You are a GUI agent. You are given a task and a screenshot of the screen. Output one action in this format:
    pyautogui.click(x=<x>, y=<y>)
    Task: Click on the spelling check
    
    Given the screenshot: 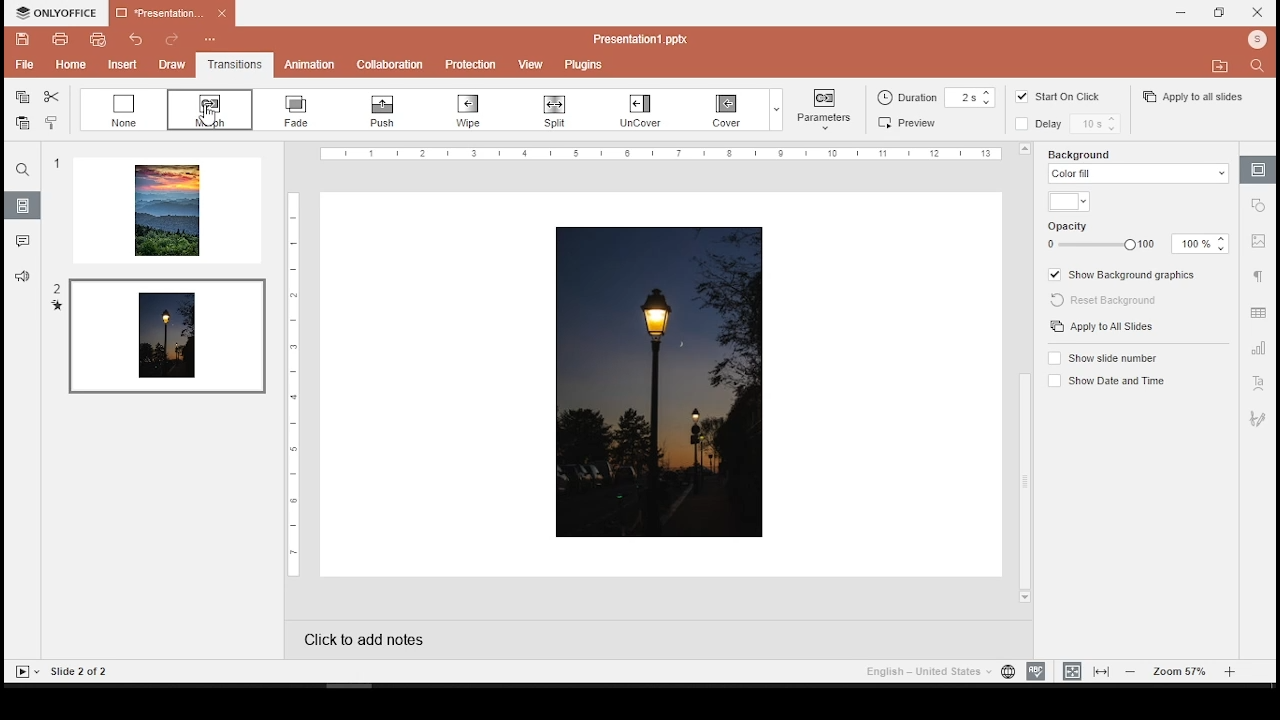 What is the action you would take?
    pyautogui.click(x=1035, y=671)
    